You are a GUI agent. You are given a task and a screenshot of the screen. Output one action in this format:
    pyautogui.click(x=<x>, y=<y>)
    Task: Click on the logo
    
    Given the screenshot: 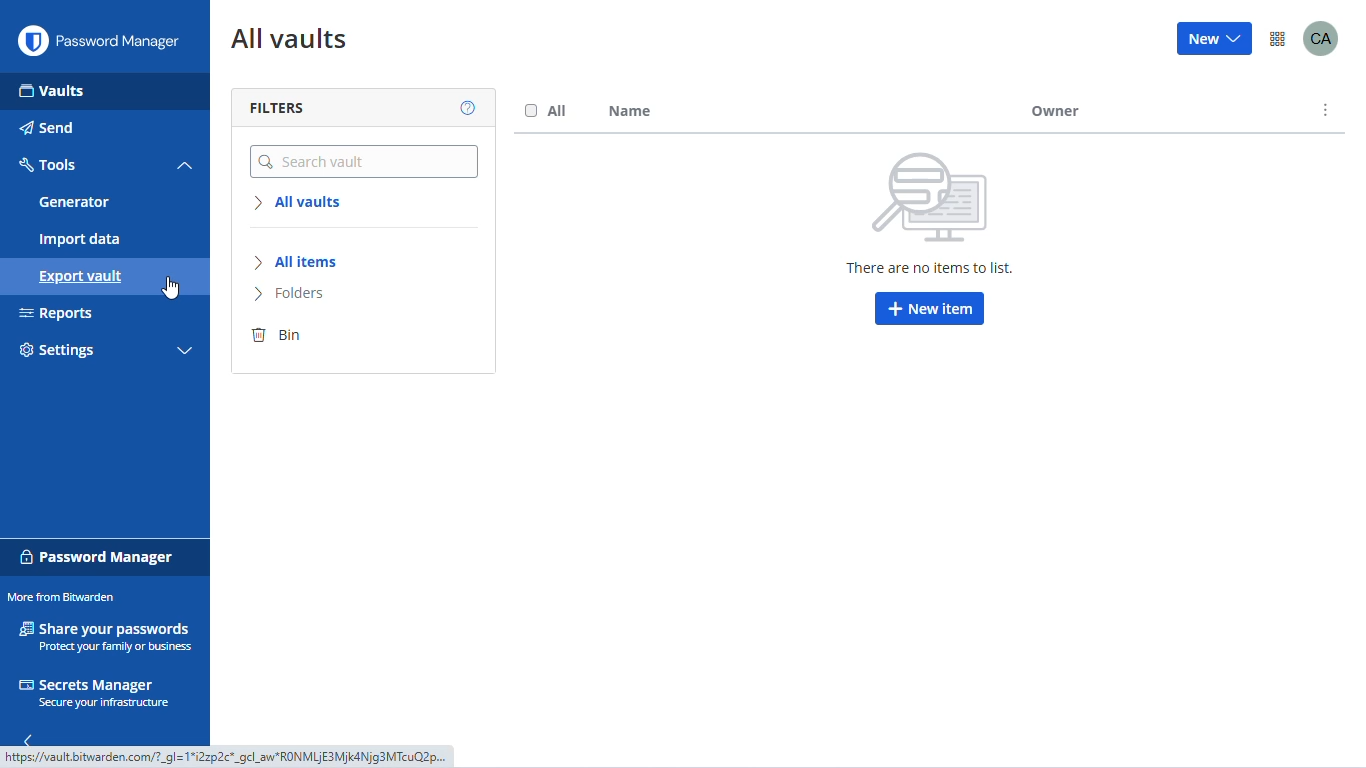 What is the action you would take?
    pyautogui.click(x=32, y=41)
    